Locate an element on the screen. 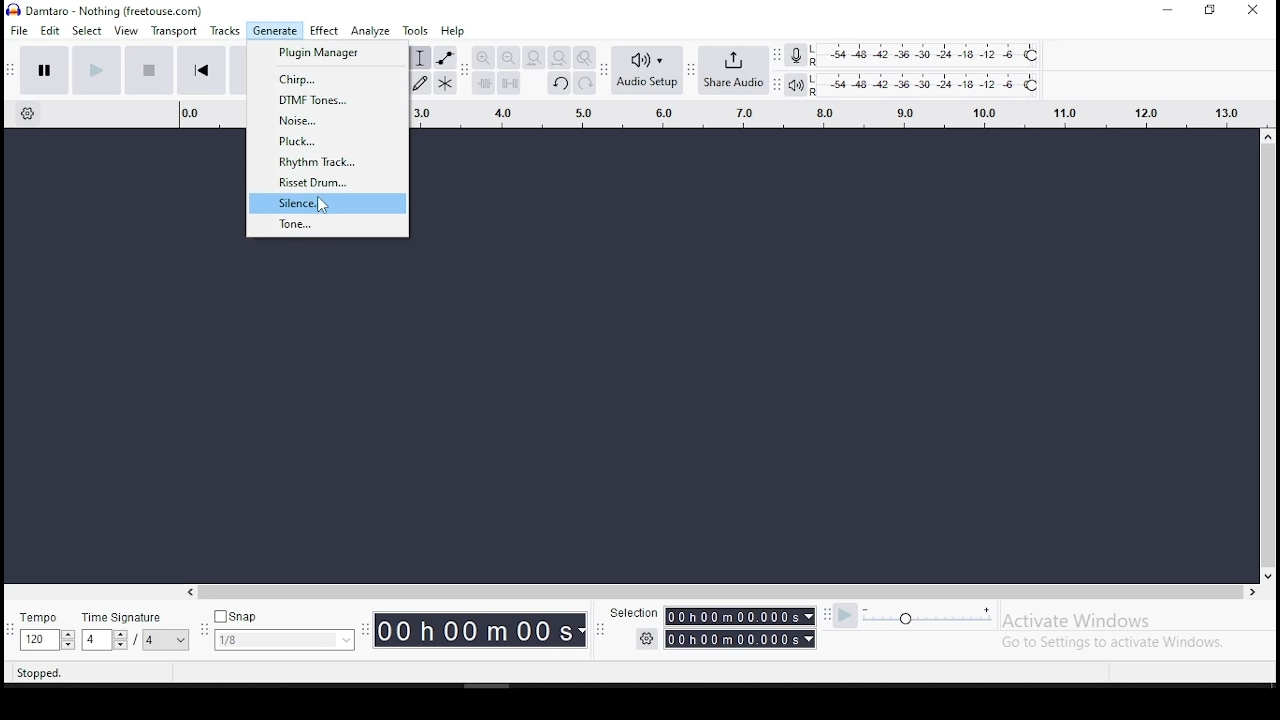  select is located at coordinates (89, 31).